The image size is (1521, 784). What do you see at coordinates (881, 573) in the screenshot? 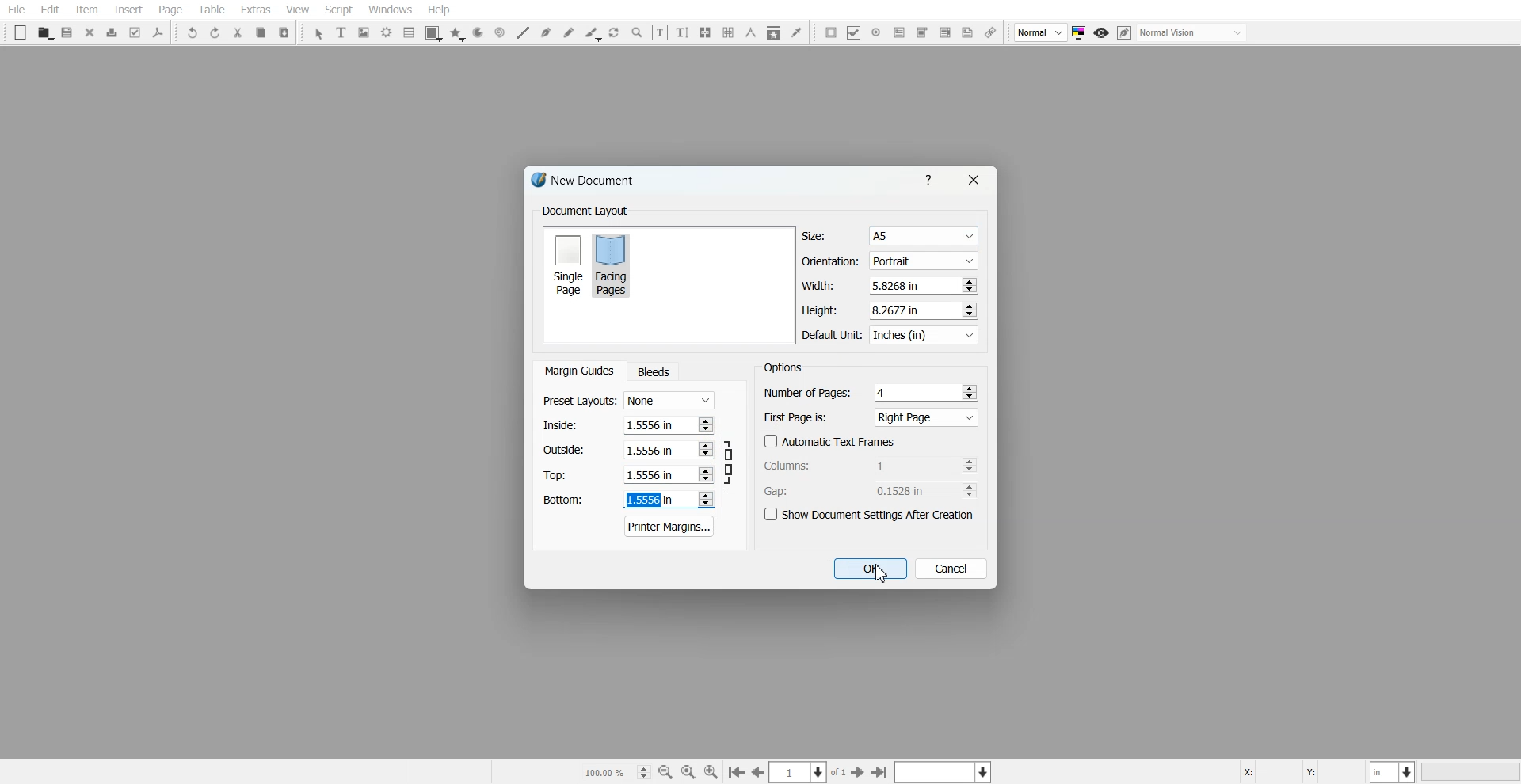
I see `Cursor` at bounding box center [881, 573].